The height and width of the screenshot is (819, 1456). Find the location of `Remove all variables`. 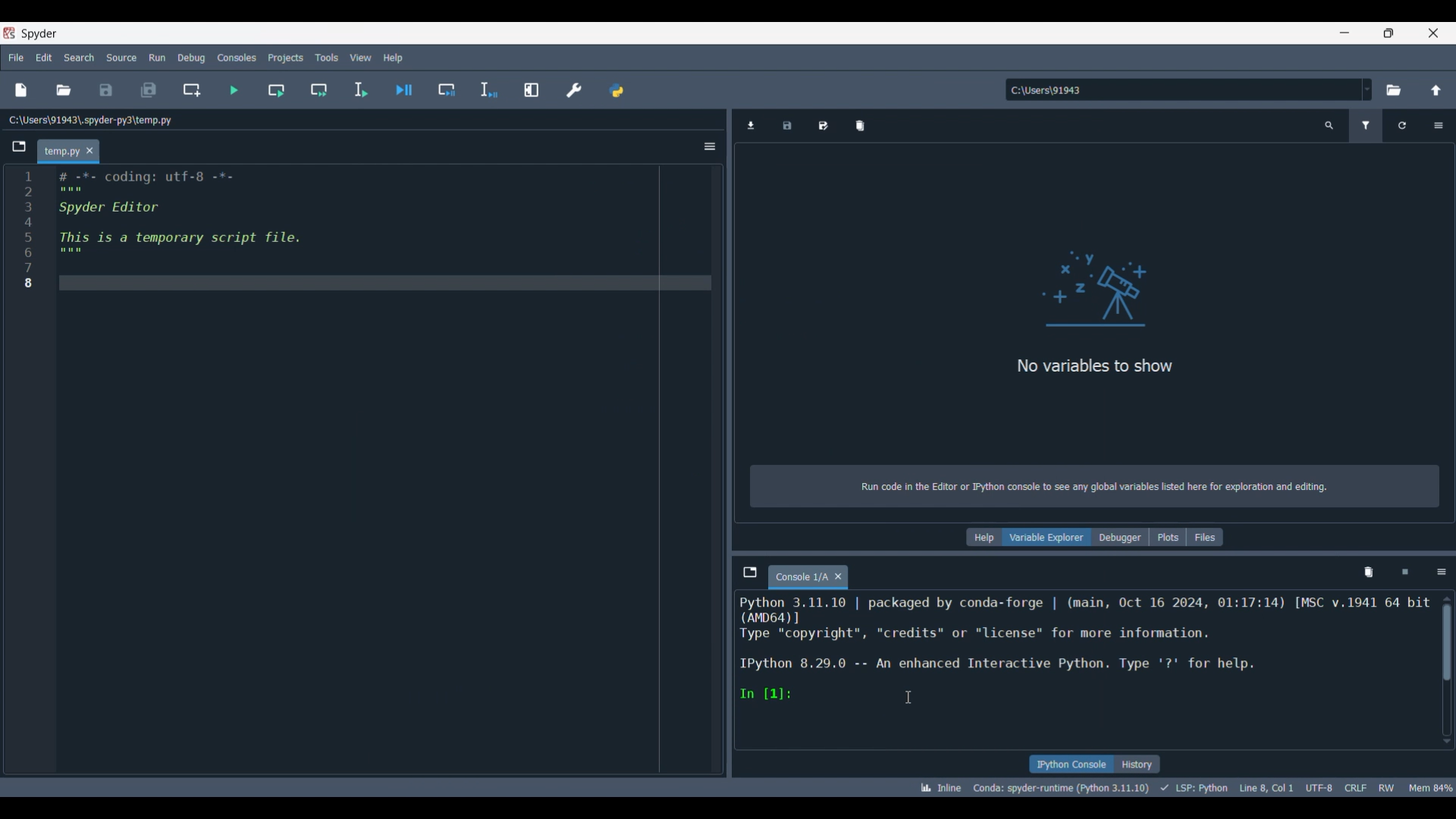

Remove all variables is located at coordinates (860, 126).